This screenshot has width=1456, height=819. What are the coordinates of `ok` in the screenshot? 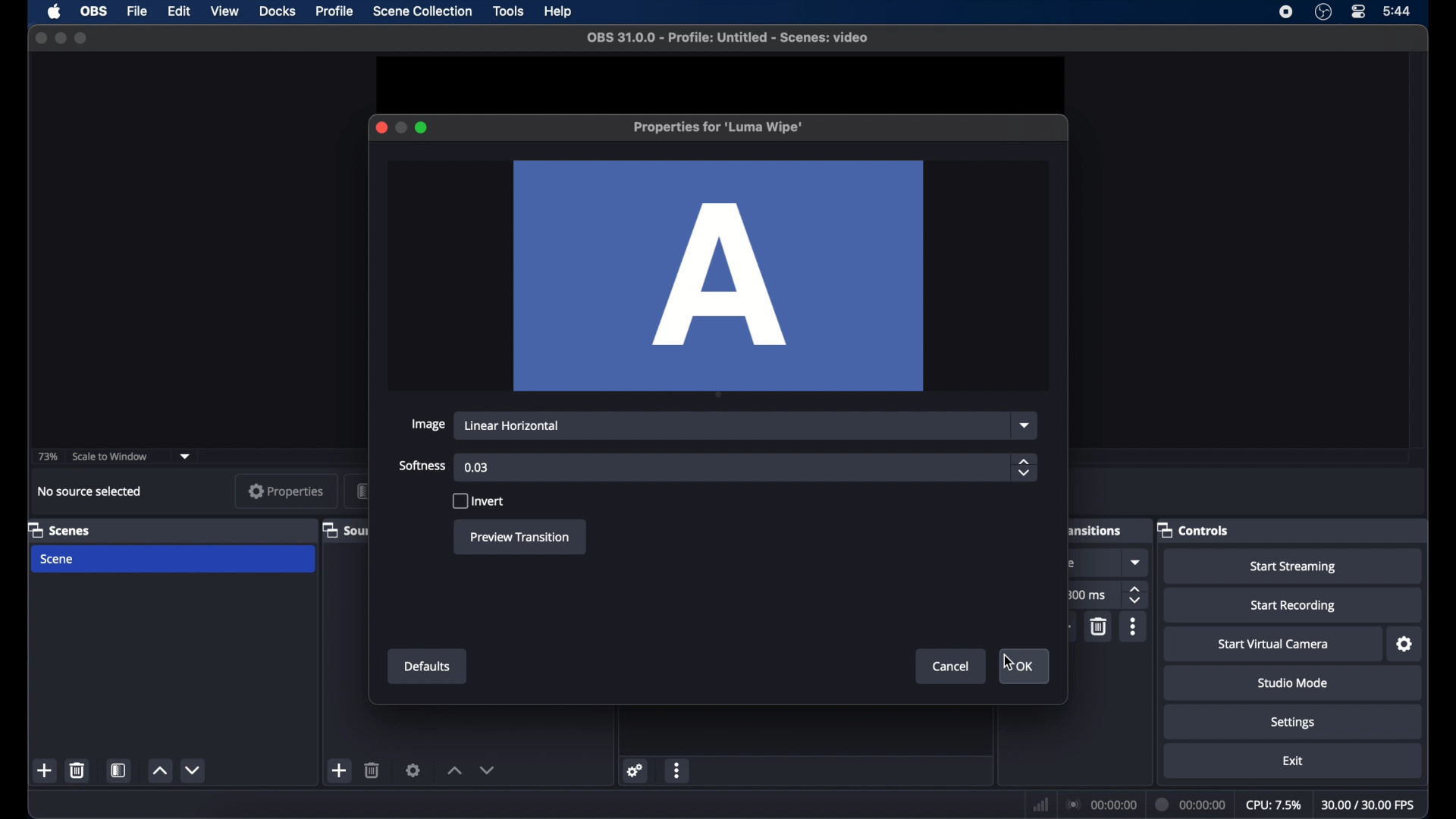 It's located at (1028, 668).